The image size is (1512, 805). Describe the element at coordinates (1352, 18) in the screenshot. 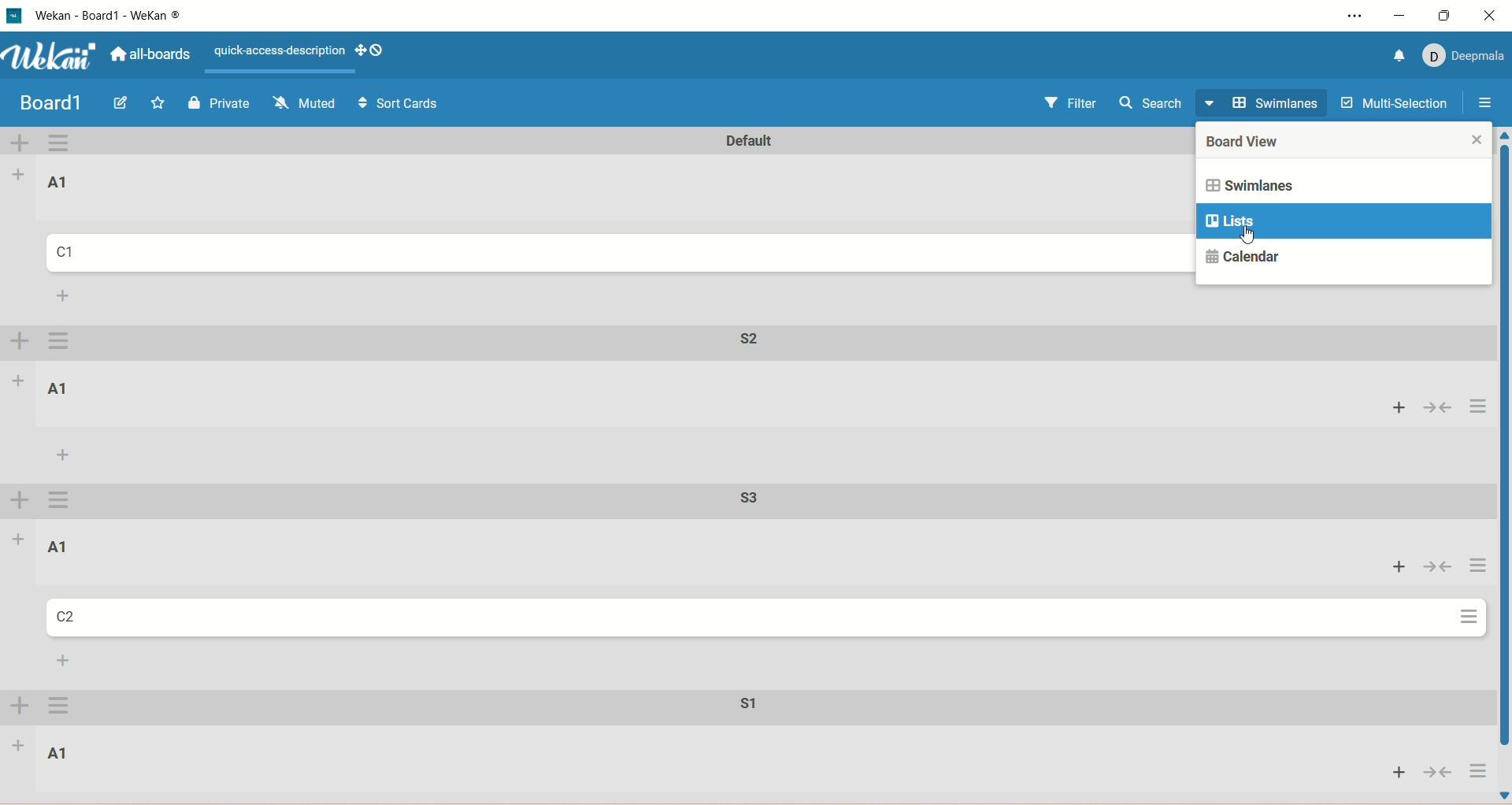

I see `settings and more` at that location.